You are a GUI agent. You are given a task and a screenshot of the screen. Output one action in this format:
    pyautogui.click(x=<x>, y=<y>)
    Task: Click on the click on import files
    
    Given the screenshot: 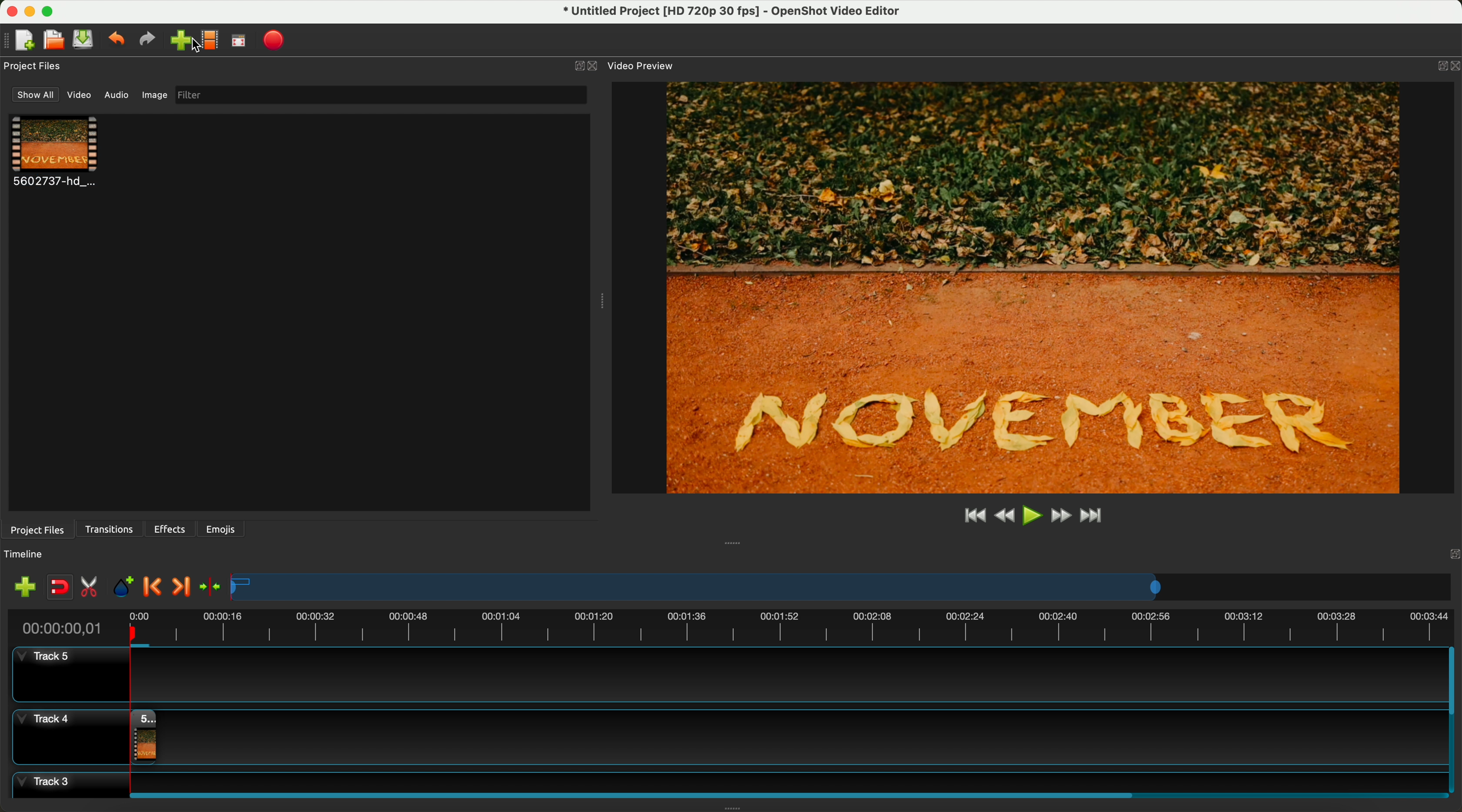 What is the action you would take?
    pyautogui.click(x=186, y=41)
    